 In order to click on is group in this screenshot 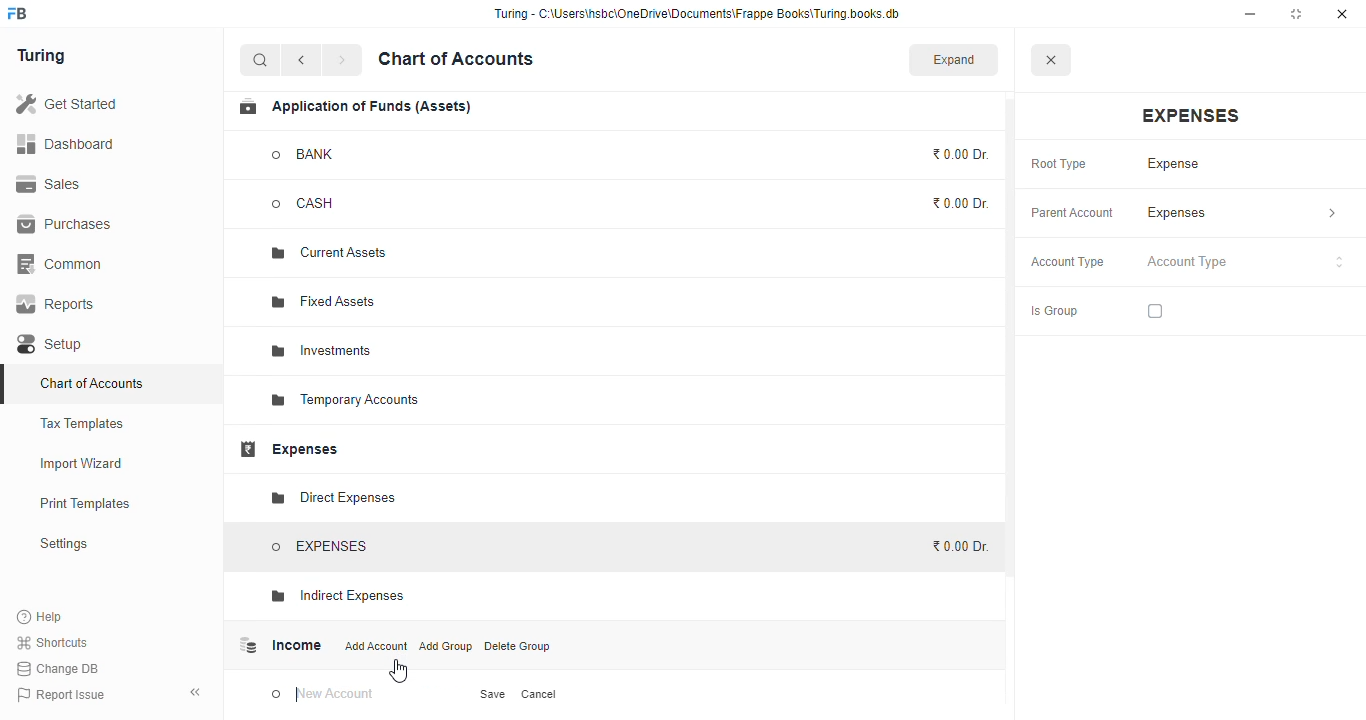, I will do `click(1054, 312)`.